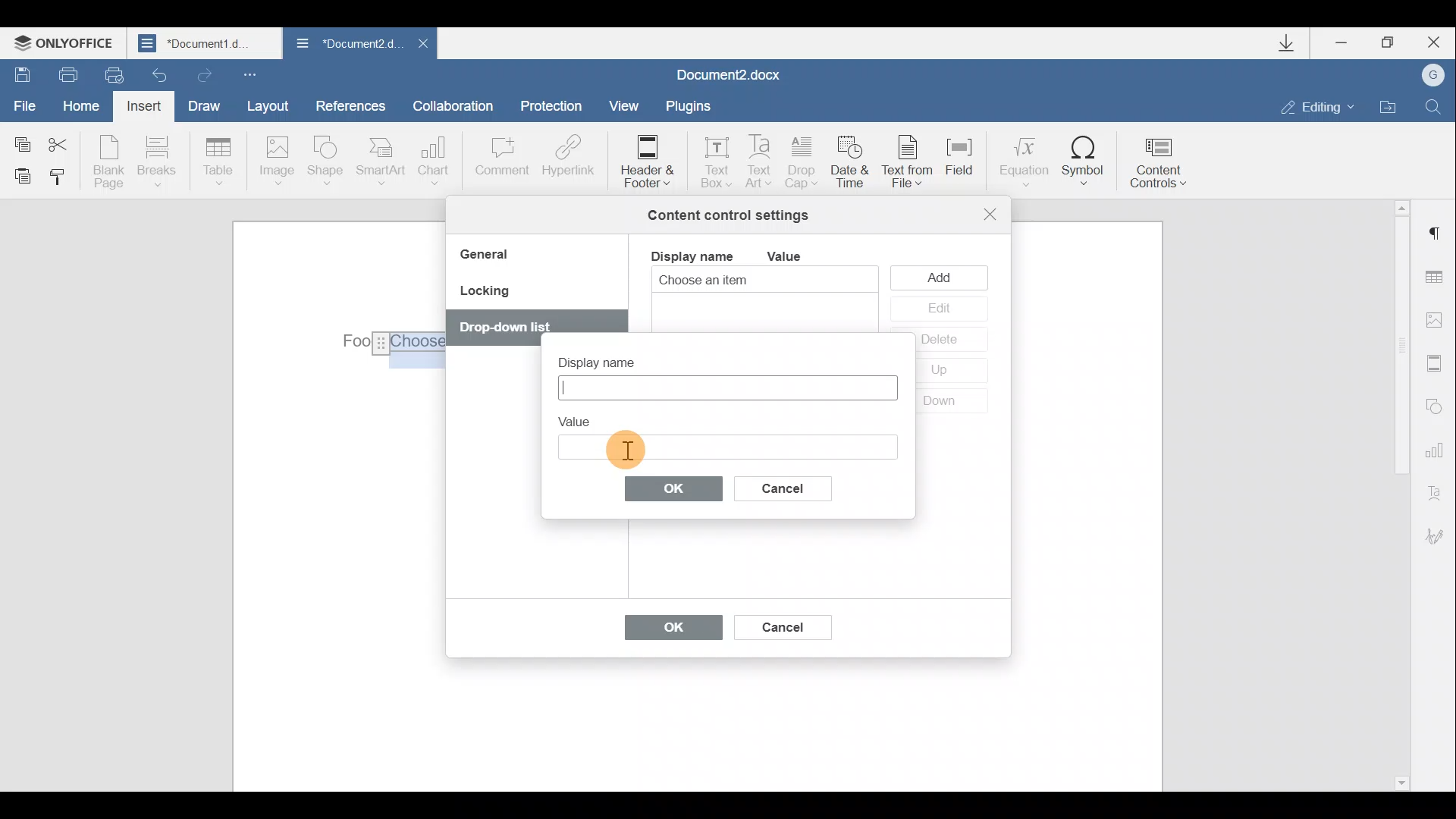 This screenshot has width=1456, height=819. Describe the element at coordinates (1432, 42) in the screenshot. I see `Close` at that location.